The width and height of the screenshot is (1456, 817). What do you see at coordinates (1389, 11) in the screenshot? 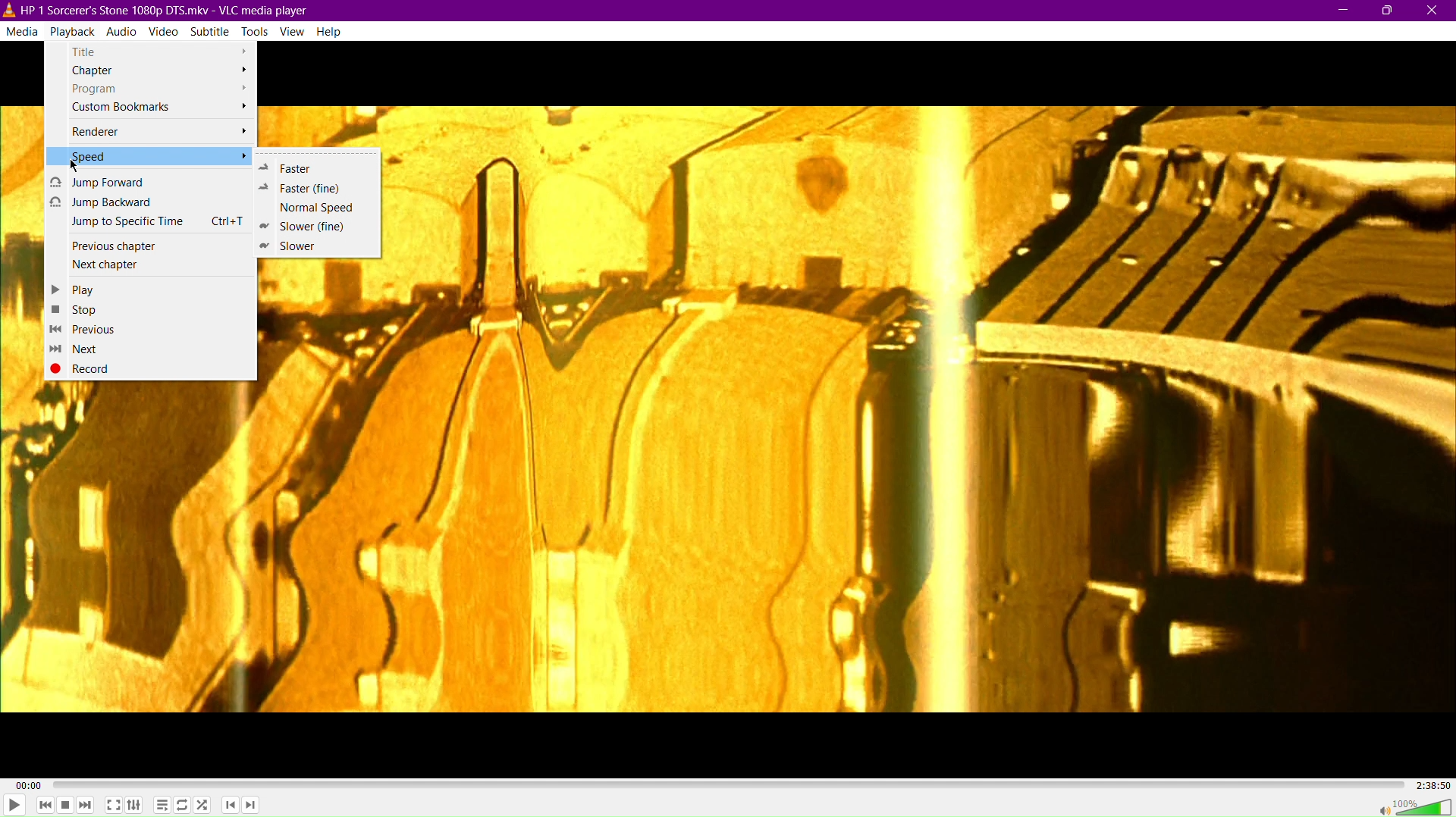
I see `Maximize` at bounding box center [1389, 11].